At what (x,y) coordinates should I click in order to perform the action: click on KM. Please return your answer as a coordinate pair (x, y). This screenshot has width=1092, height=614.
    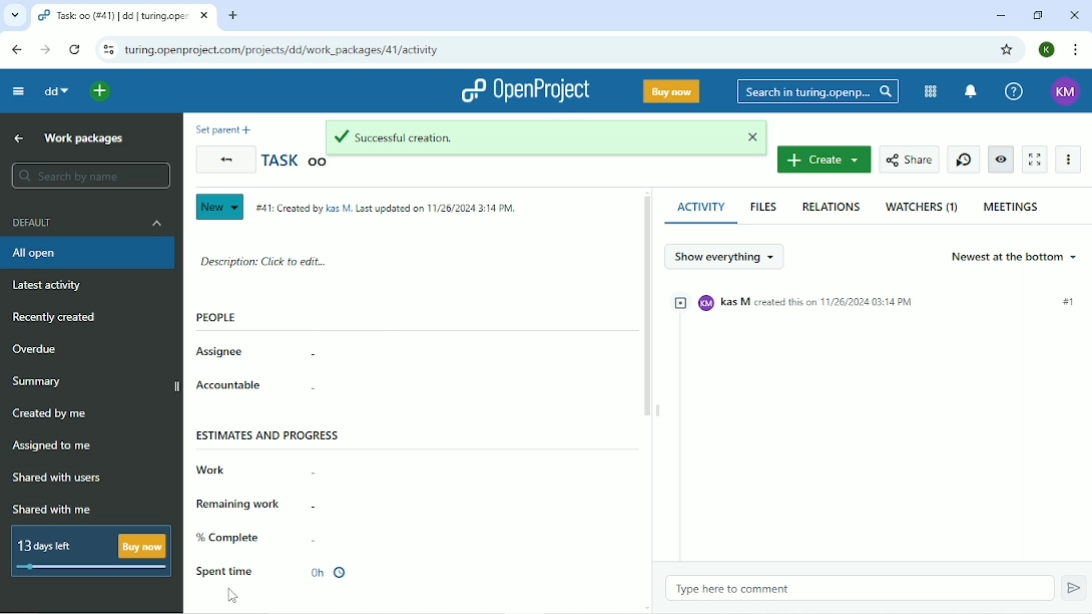
    Looking at the image, I should click on (1067, 91).